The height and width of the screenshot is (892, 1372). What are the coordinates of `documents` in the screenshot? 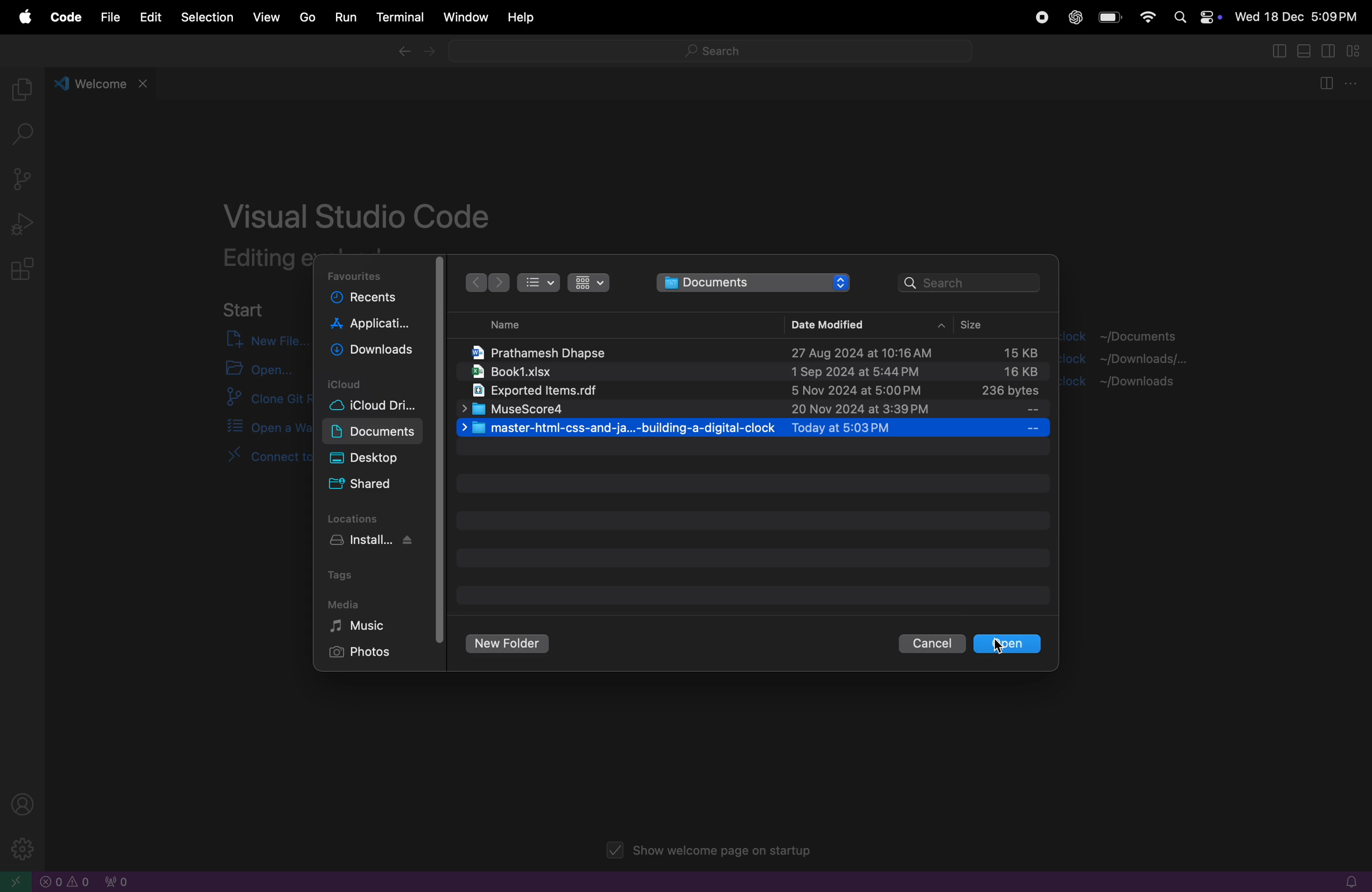 It's located at (754, 282).